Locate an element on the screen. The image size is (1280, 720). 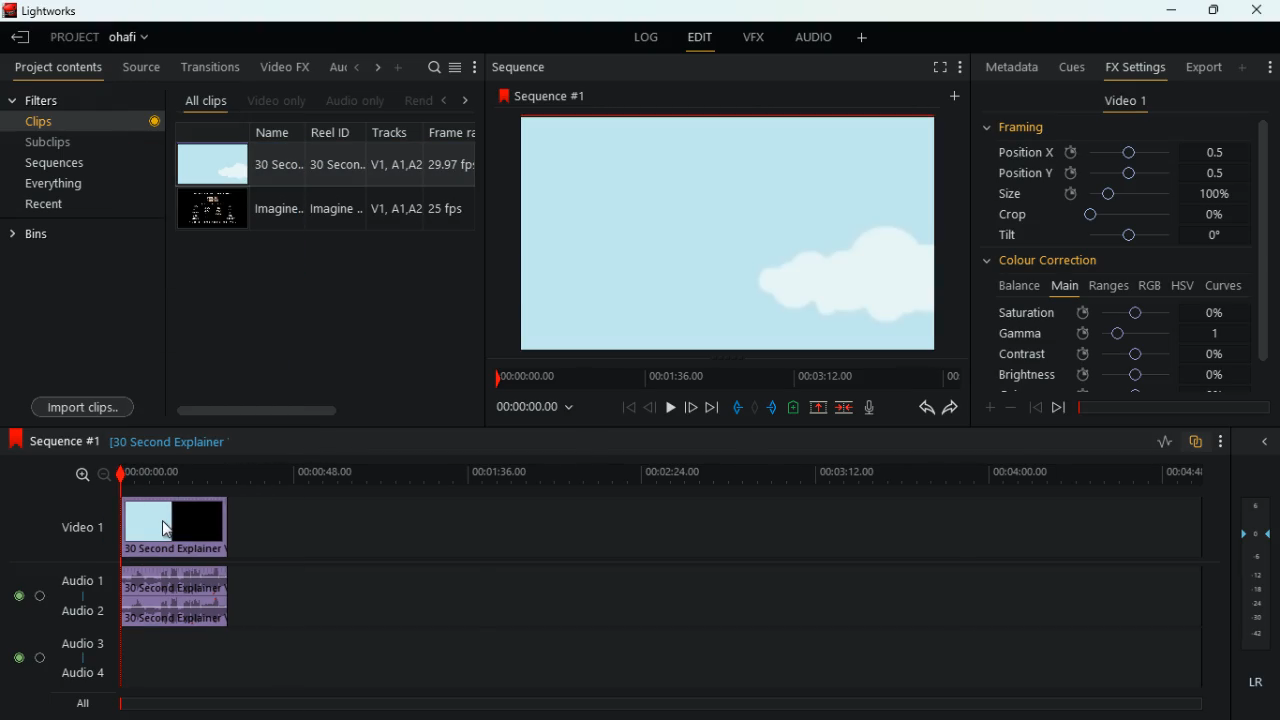
audio is located at coordinates (352, 100).